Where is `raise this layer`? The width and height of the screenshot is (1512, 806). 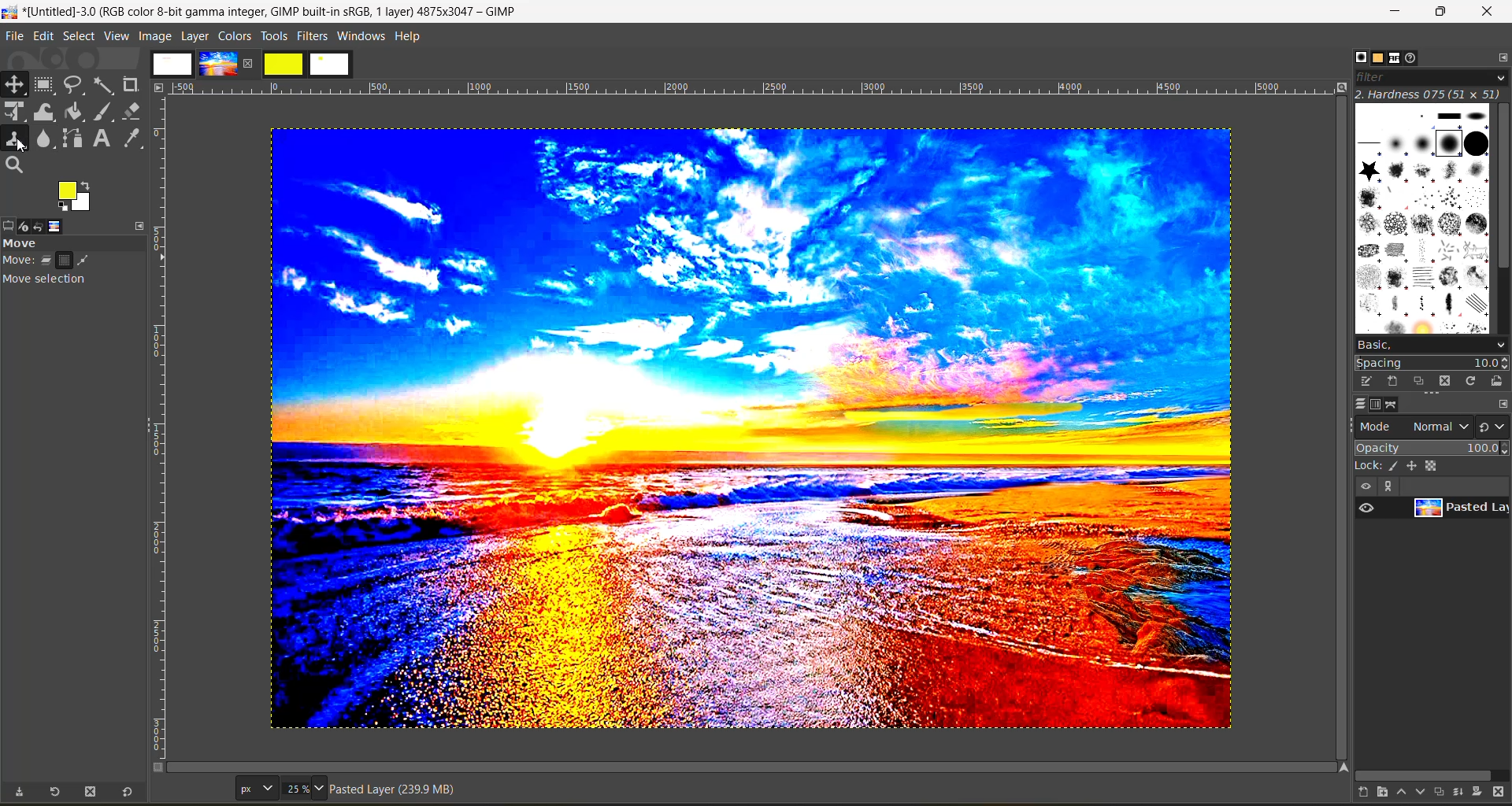
raise this layer is located at coordinates (1395, 793).